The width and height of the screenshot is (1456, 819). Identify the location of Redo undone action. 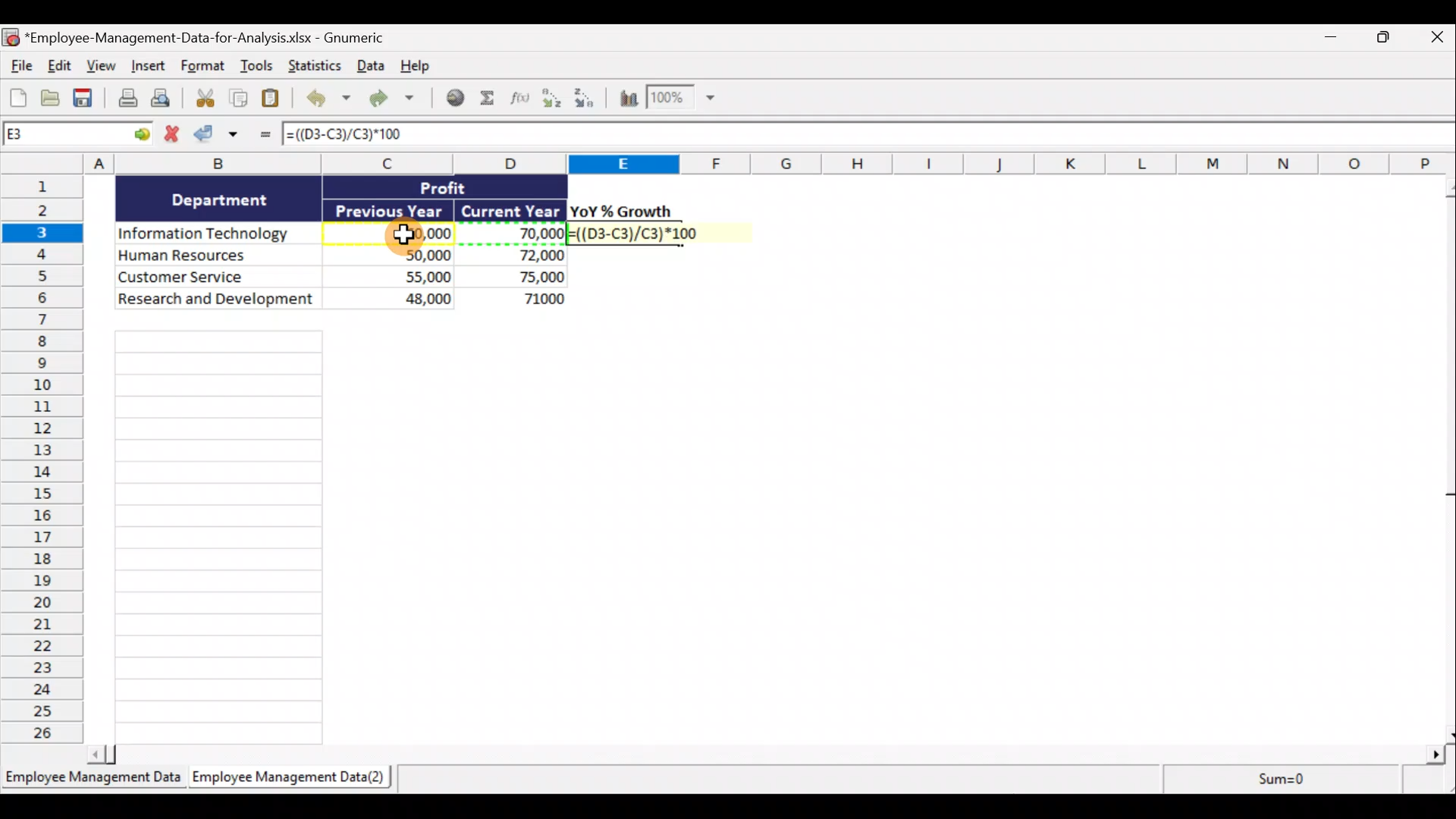
(390, 99).